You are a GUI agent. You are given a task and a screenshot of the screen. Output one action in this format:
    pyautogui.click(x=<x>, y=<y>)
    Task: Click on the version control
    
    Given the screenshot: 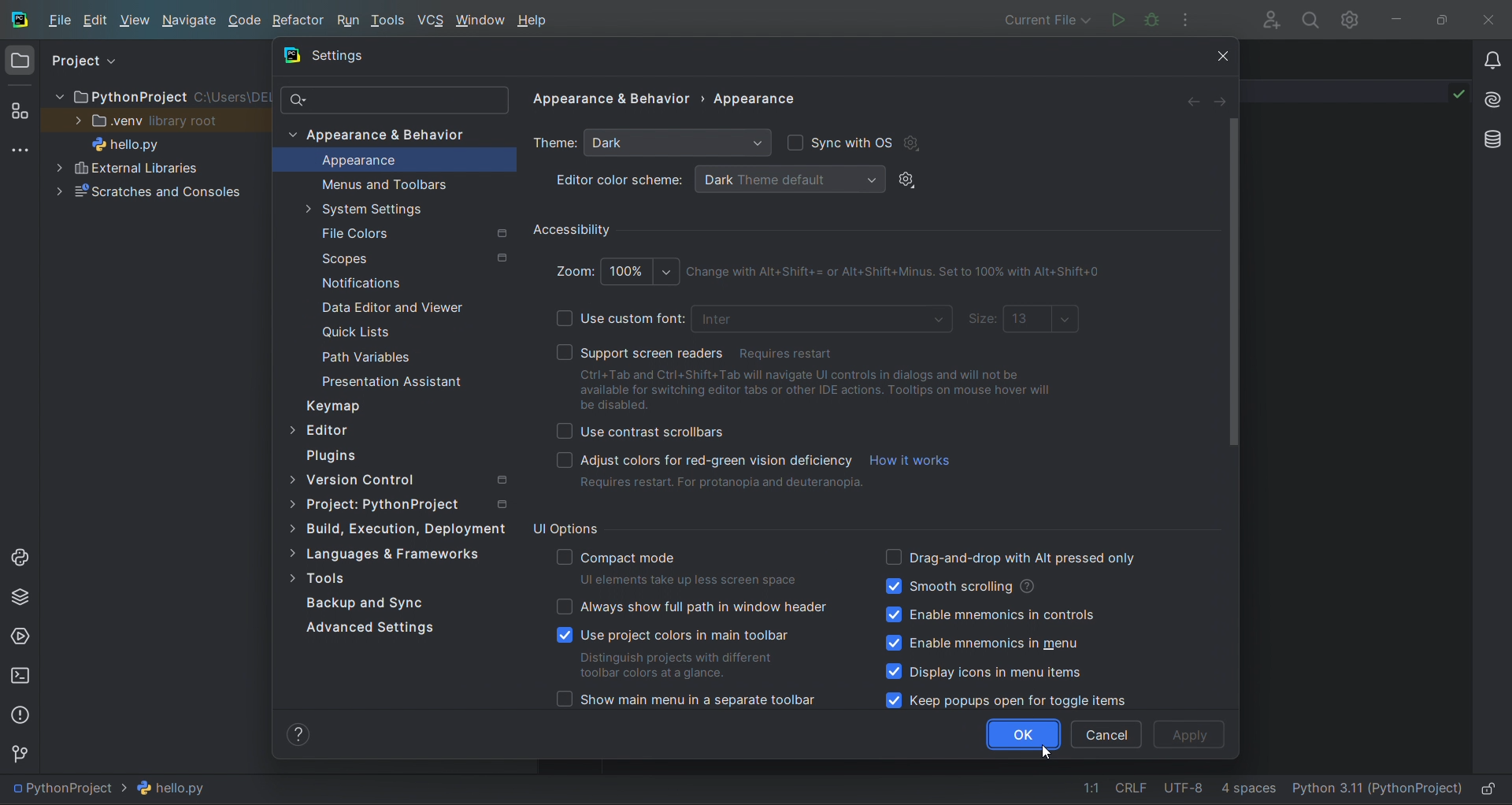 What is the action you would take?
    pyautogui.click(x=18, y=755)
    